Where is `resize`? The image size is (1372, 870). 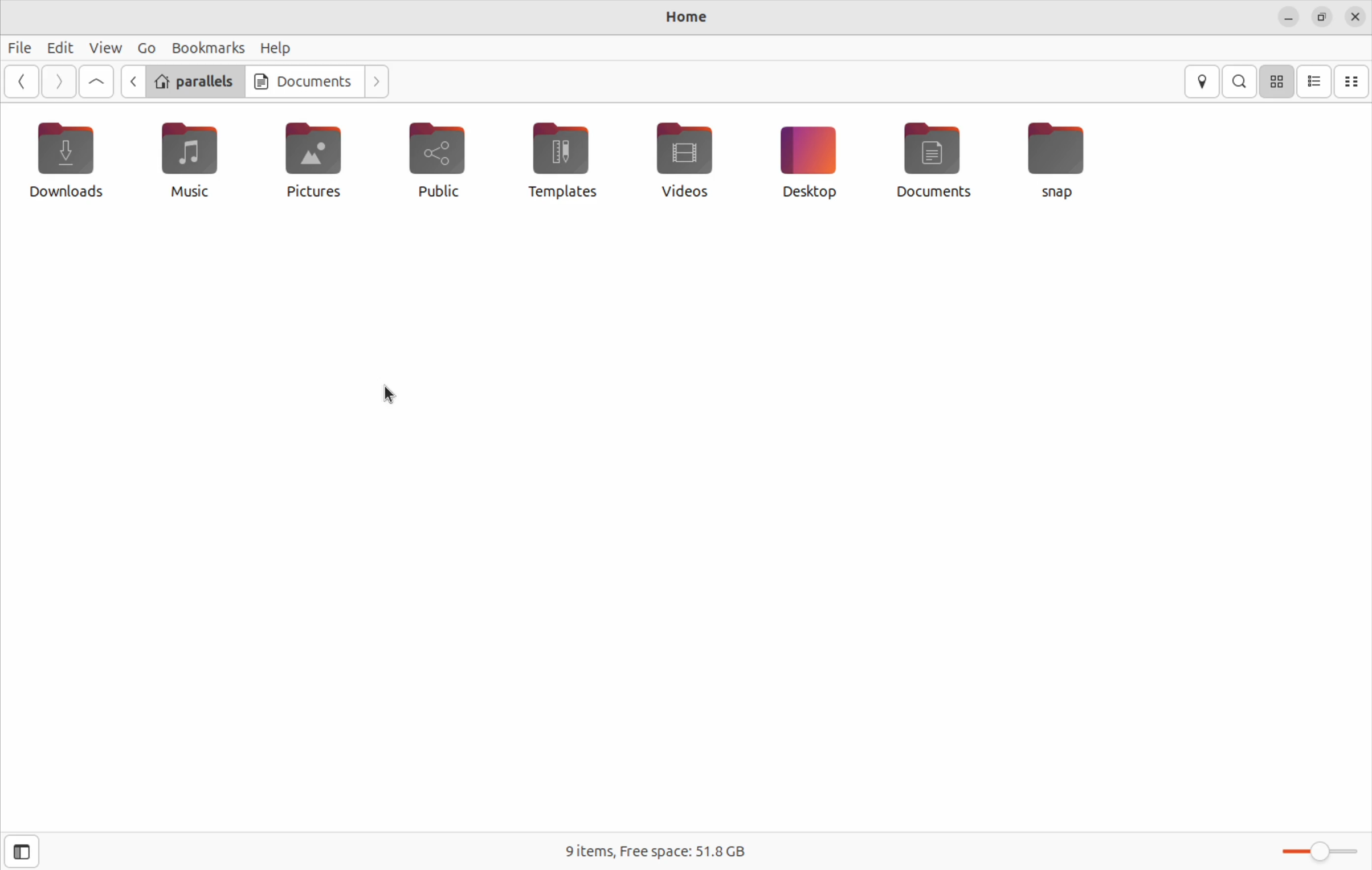
resize is located at coordinates (1321, 17).